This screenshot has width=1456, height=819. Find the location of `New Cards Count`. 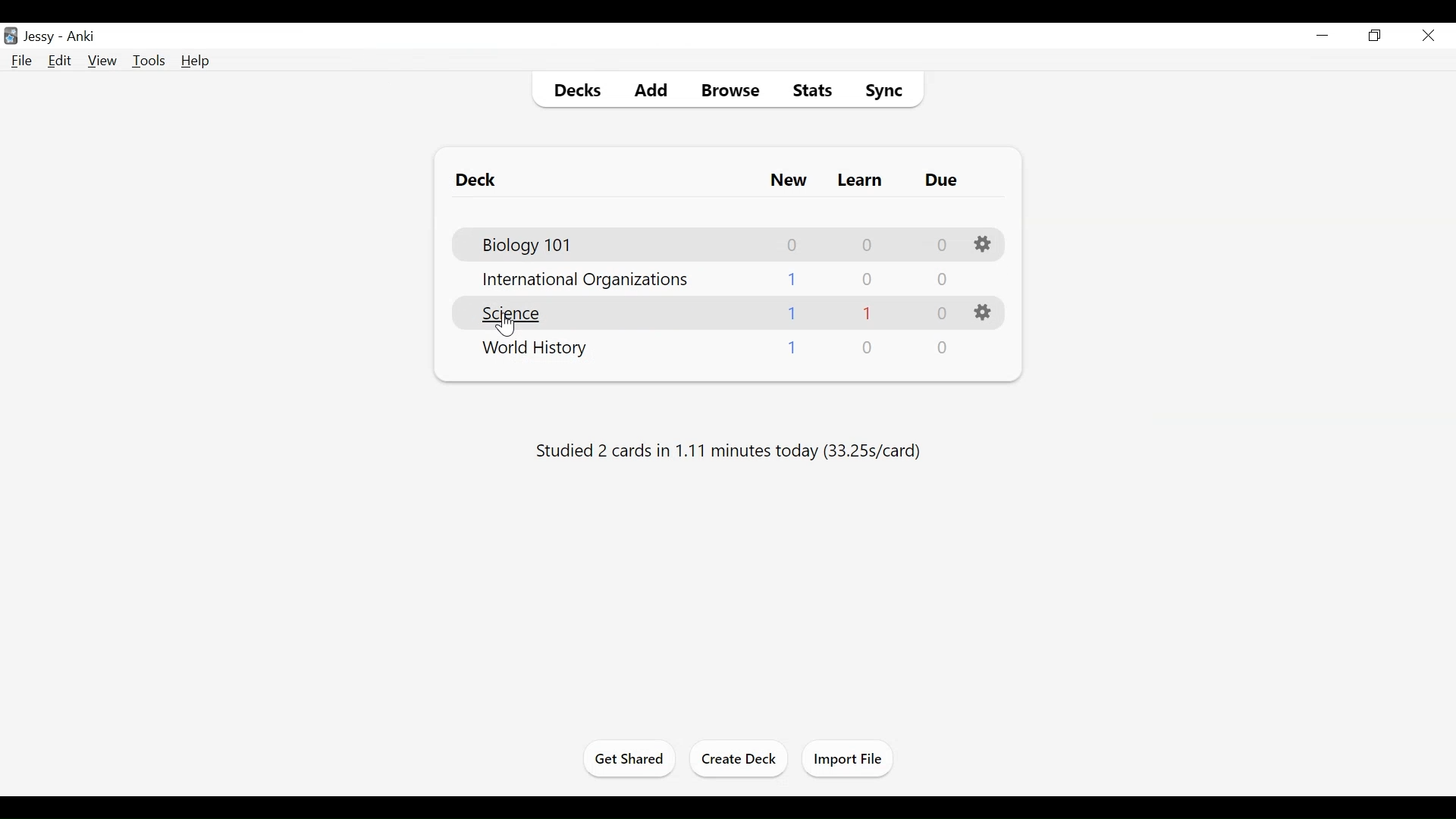

New Cards Count is located at coordinates (792, 349).